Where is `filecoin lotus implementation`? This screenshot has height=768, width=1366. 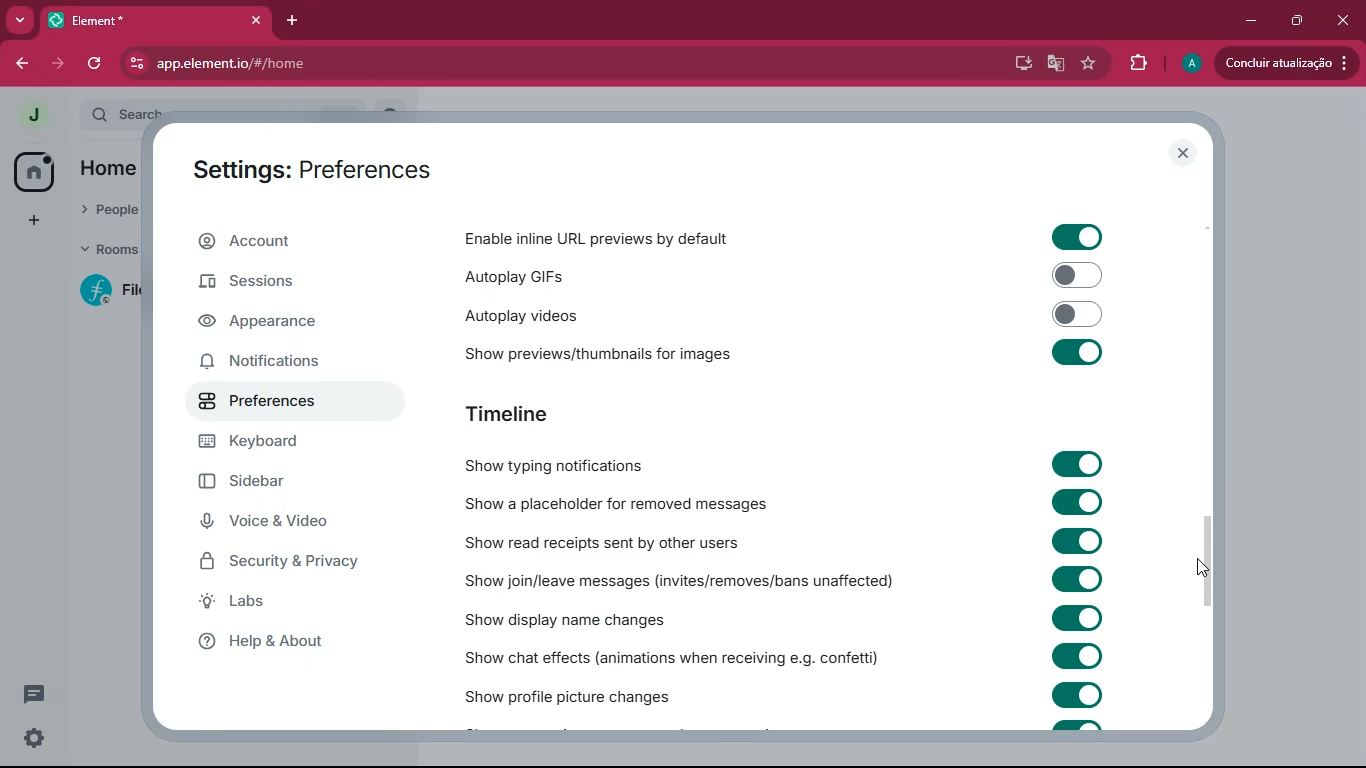 filecoin lotus implementation is located at coordinates (107, 290).